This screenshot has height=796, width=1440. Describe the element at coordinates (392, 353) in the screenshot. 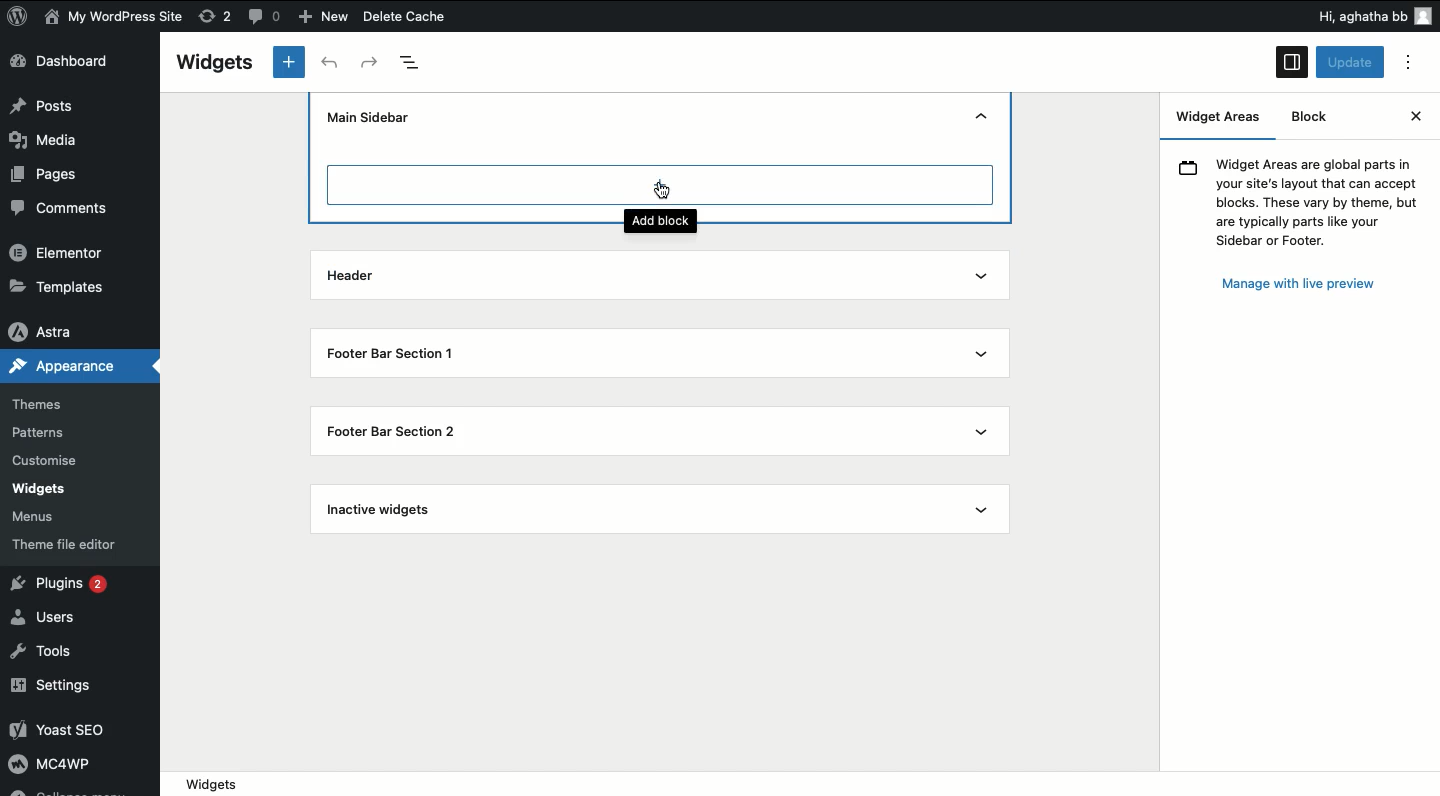

I see `Footer bar section 1` at that location.